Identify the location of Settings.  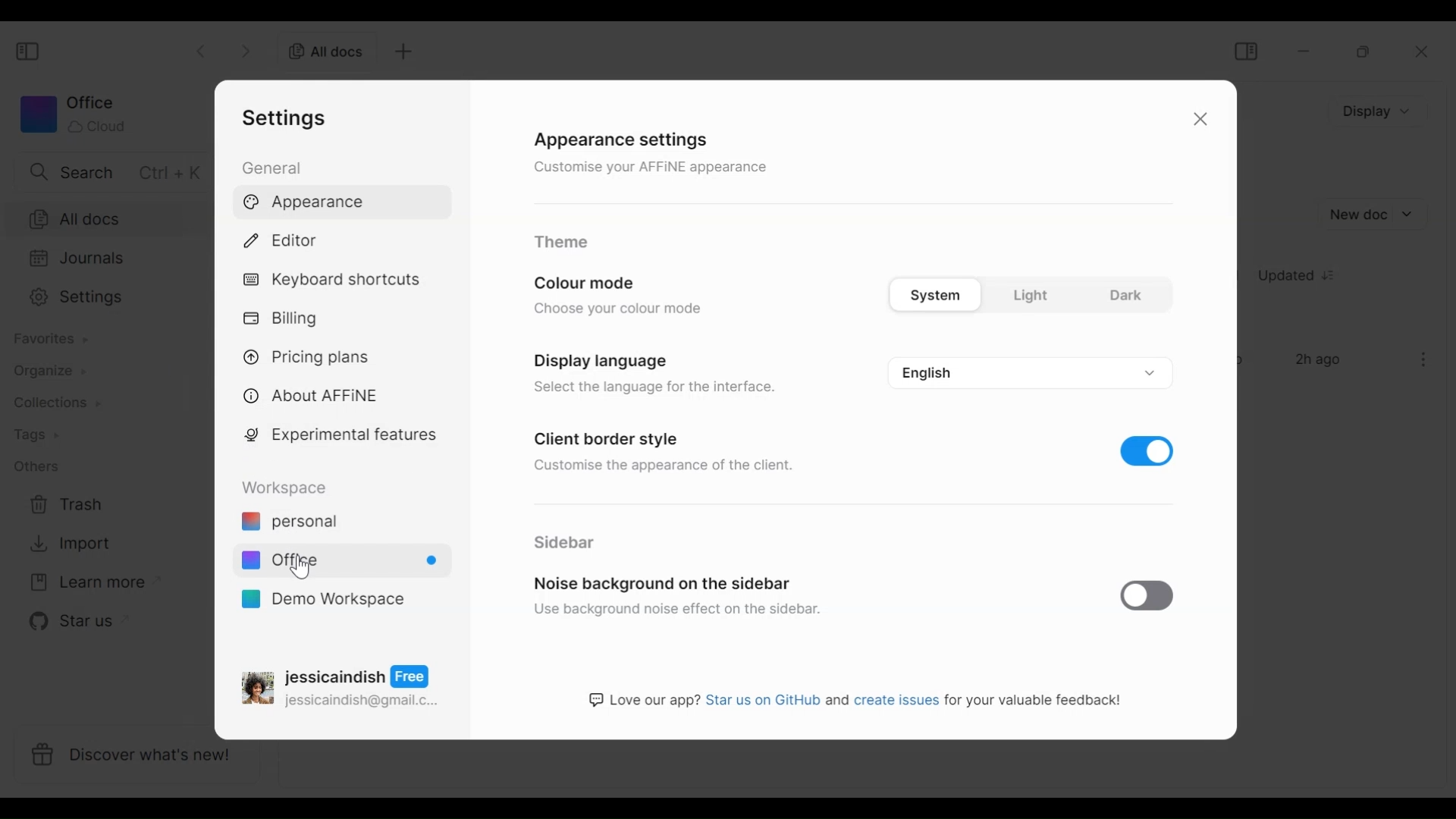
(105, 297).